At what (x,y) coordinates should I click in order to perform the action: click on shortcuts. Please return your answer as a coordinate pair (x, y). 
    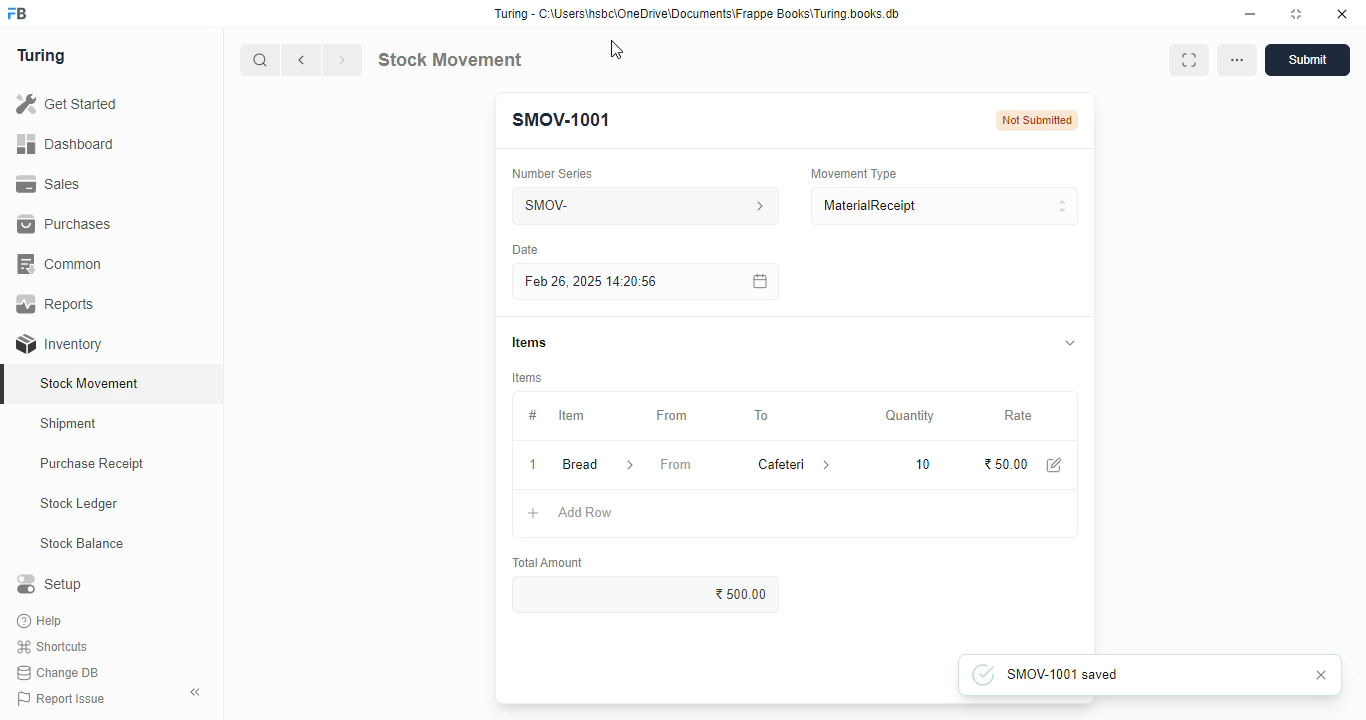
    Looking at the image, I should click on (52, 647).